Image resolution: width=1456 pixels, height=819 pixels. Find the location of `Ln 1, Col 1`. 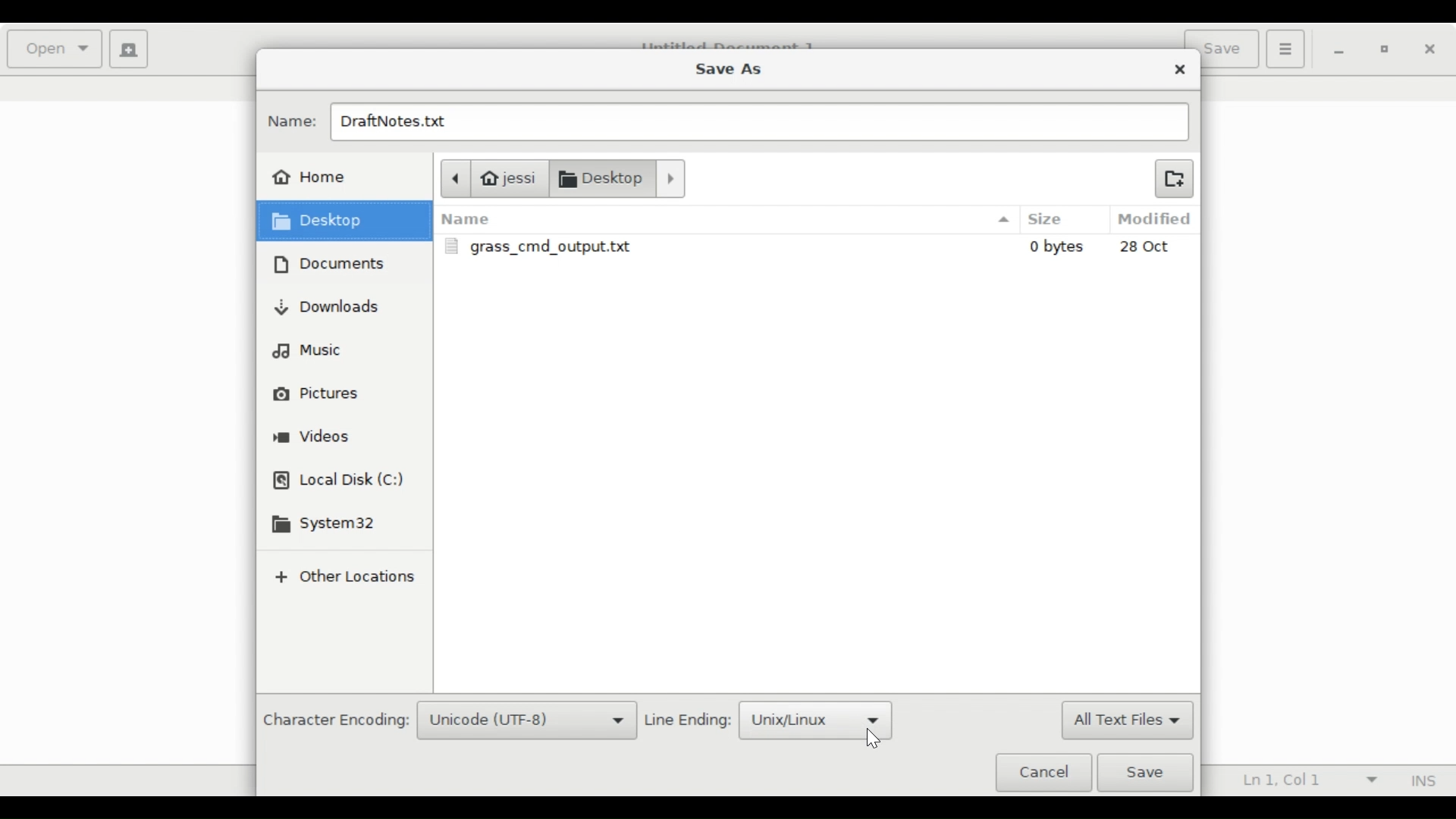

Ln 1, Col 1 is located at coordinates (1305, 781).